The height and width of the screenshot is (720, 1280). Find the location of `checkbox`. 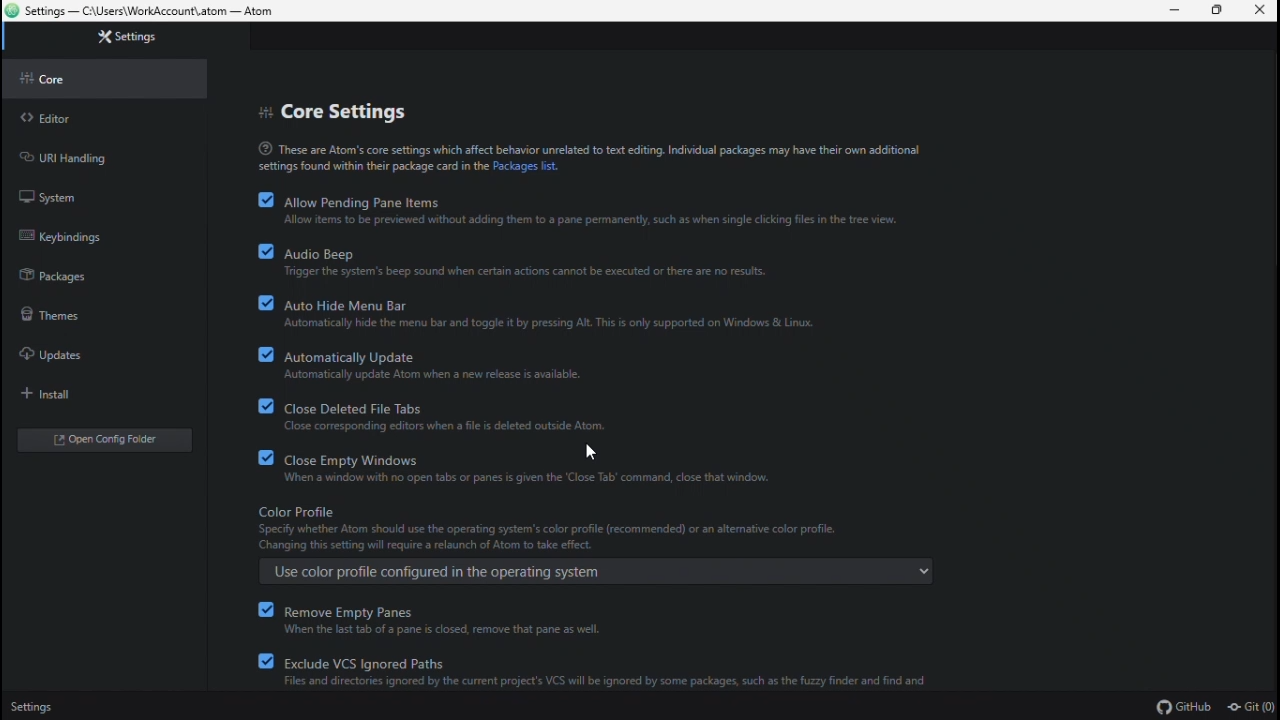

checkbox is located at coordinates (263, 459).